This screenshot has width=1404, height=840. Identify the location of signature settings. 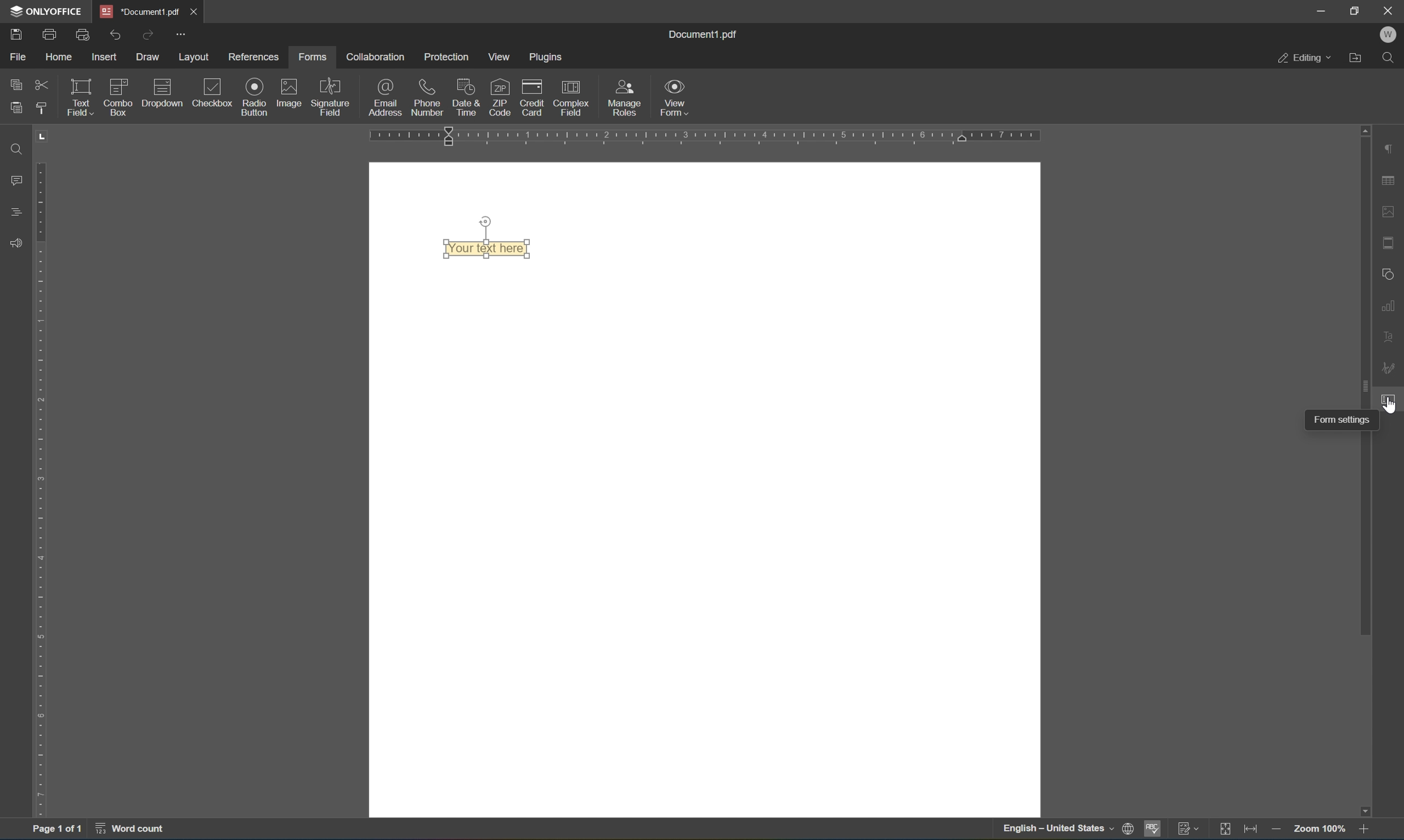
(1390, 370).